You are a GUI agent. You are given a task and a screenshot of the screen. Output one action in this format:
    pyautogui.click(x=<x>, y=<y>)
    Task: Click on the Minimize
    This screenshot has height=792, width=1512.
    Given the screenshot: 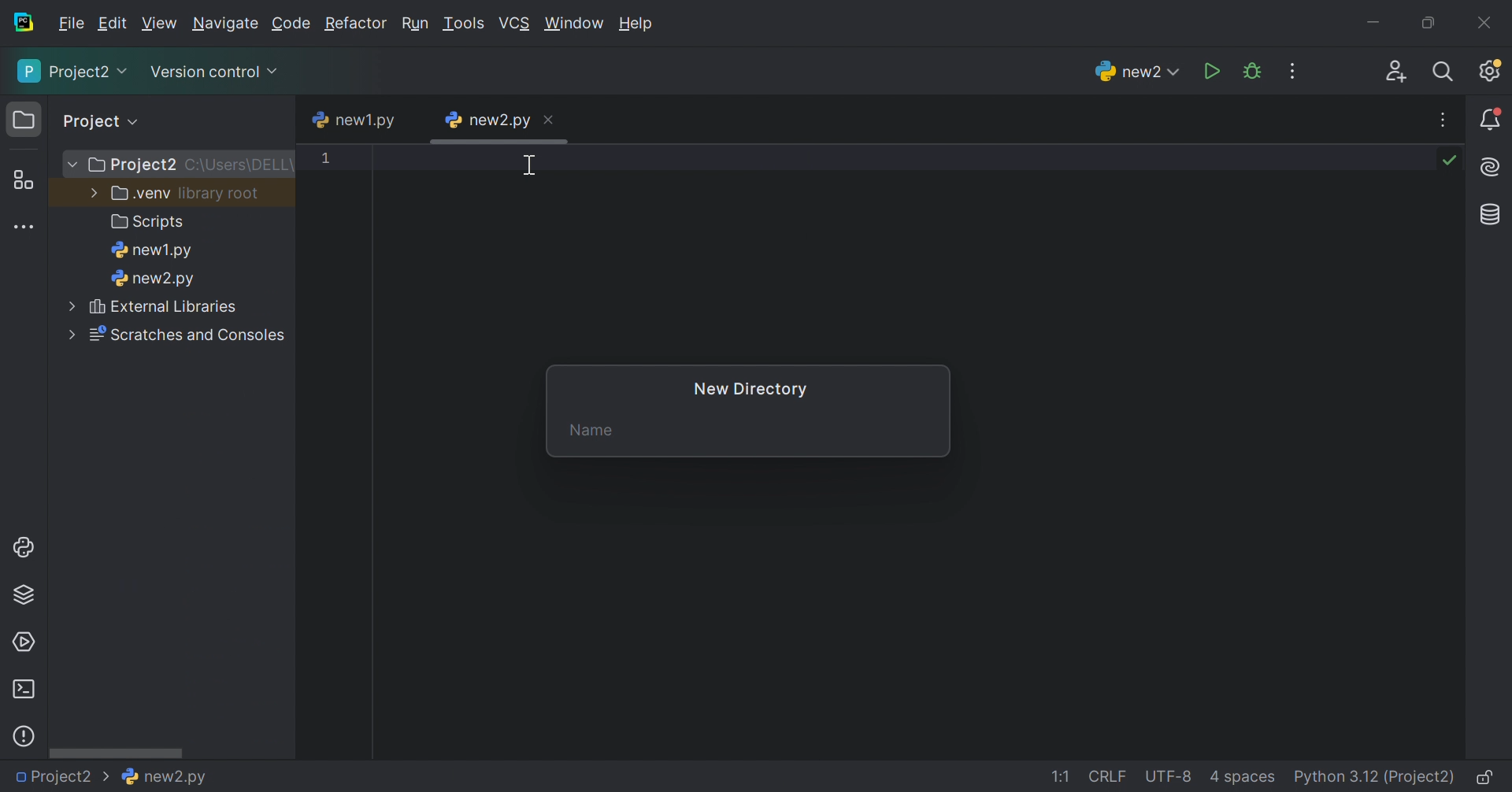 What is the action you would take?
    pyautogui.click(x=1377, y=23)
    